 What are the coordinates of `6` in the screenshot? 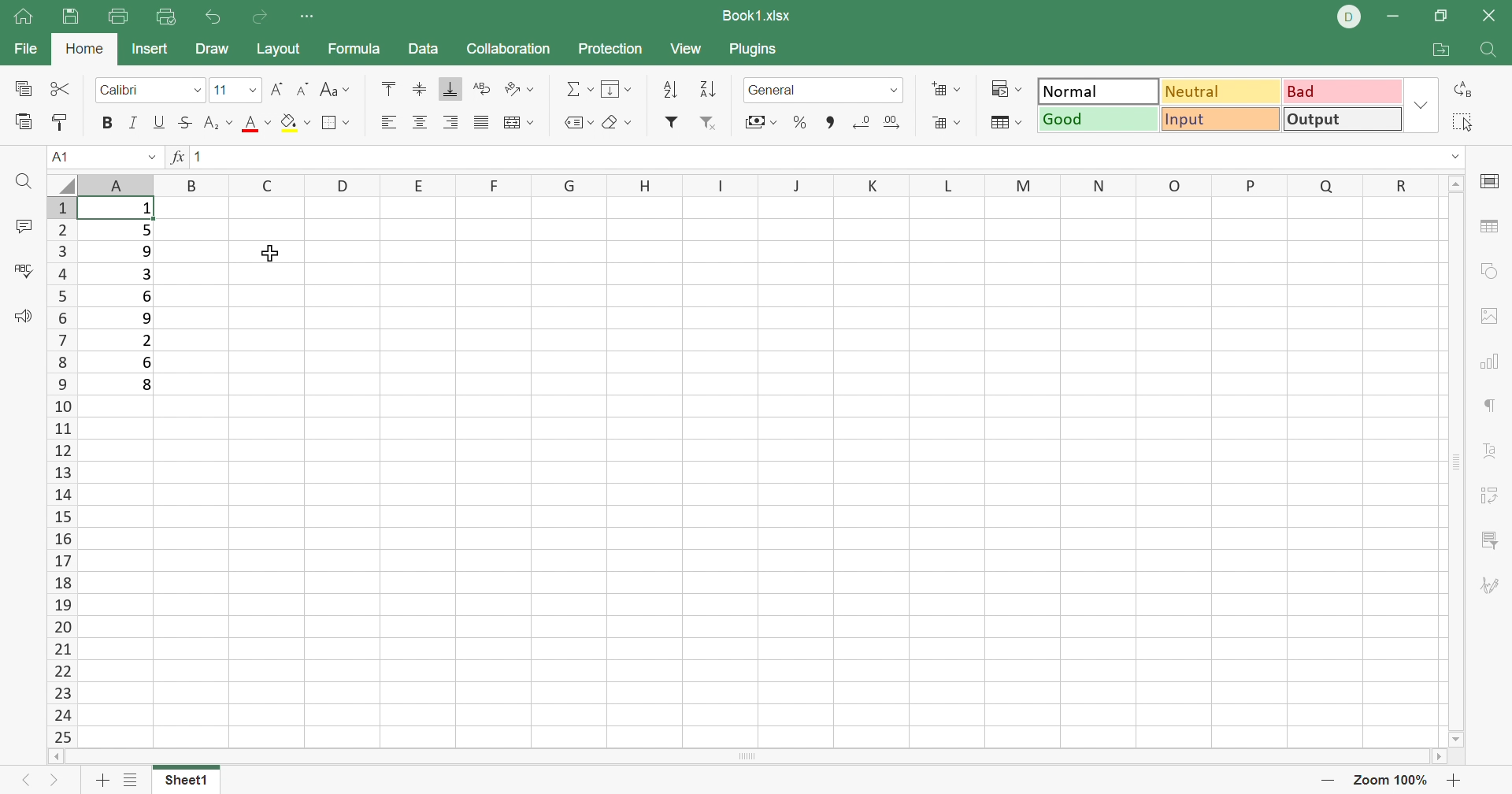 It's located at (150, 364).